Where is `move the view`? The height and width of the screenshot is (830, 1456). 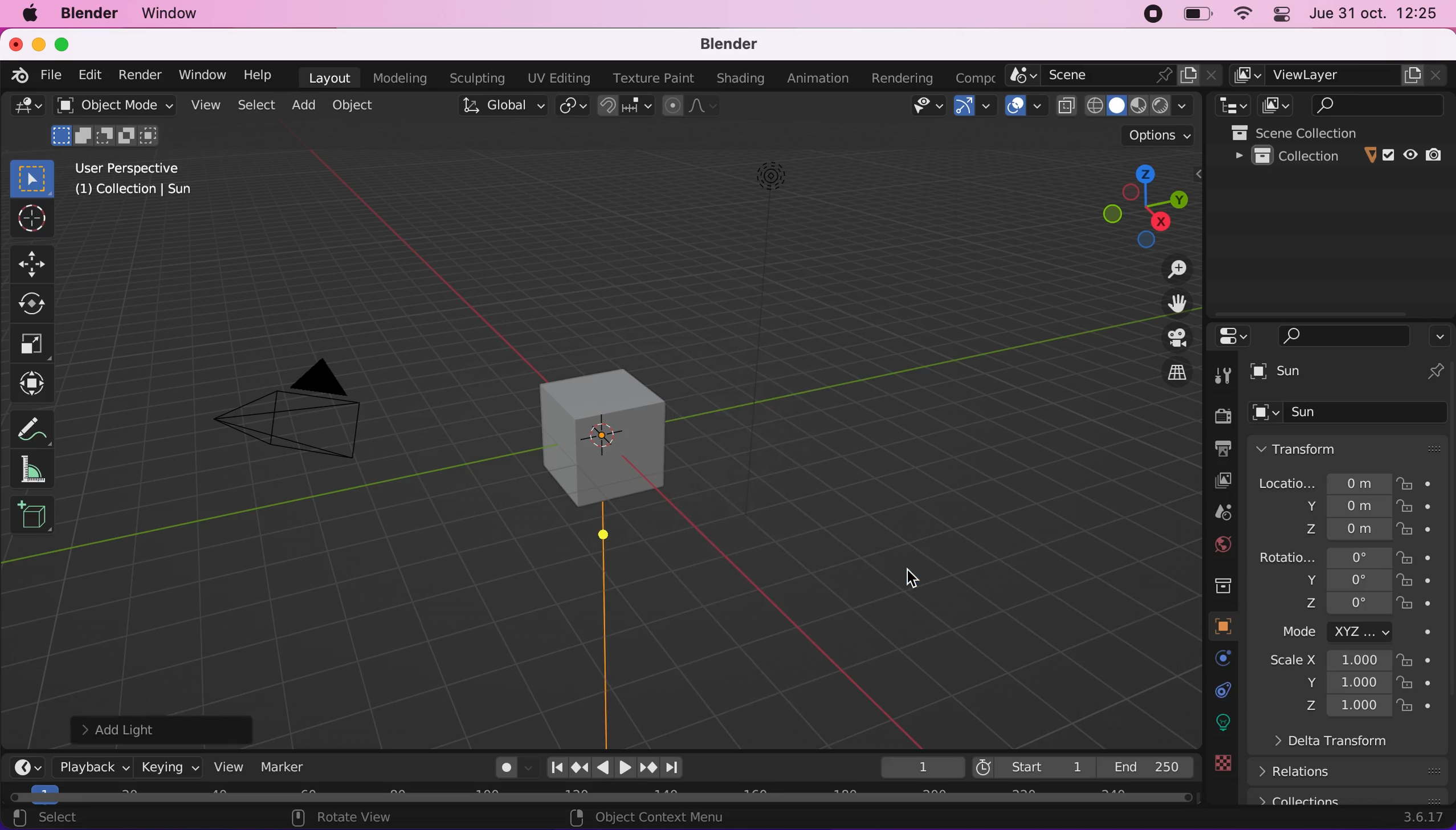
move the view is located at coordinates (1168, 303).